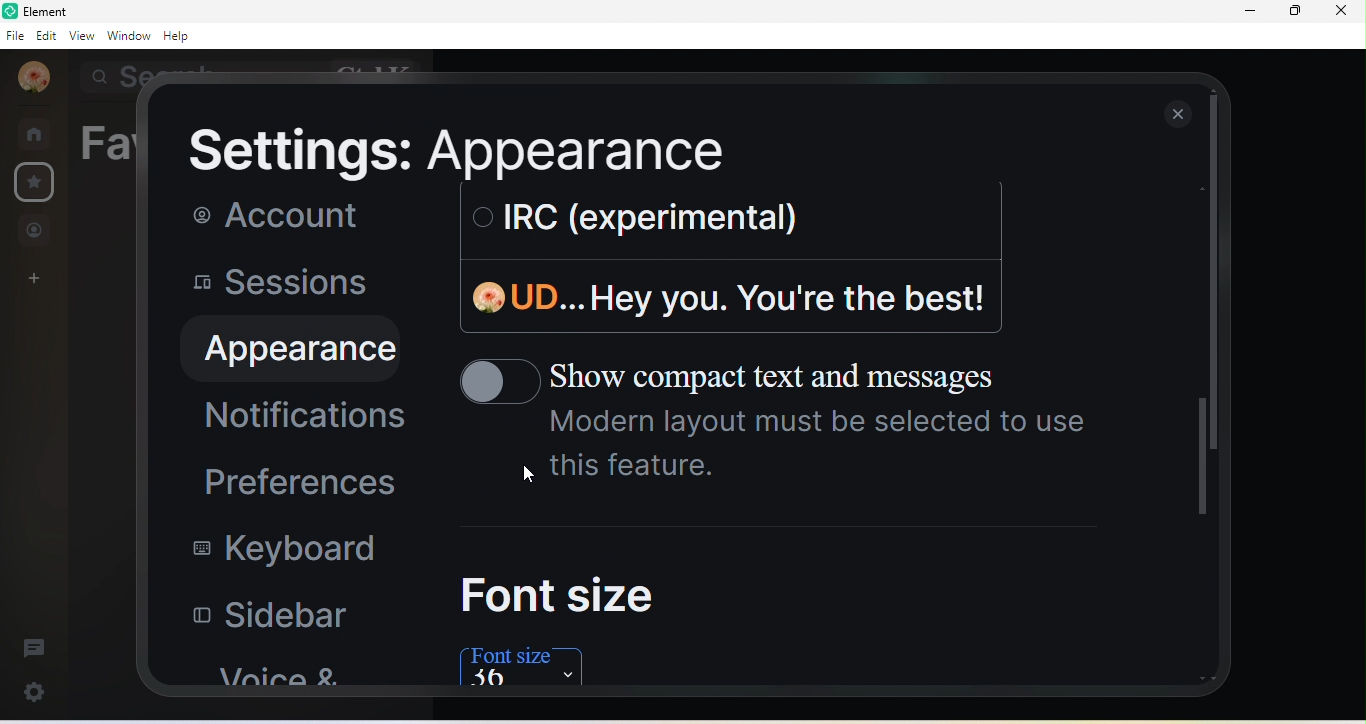  What do you see at coordinates (260, 619) in the screenshot?
I see `sidebar` at bounding box center [260, 619].